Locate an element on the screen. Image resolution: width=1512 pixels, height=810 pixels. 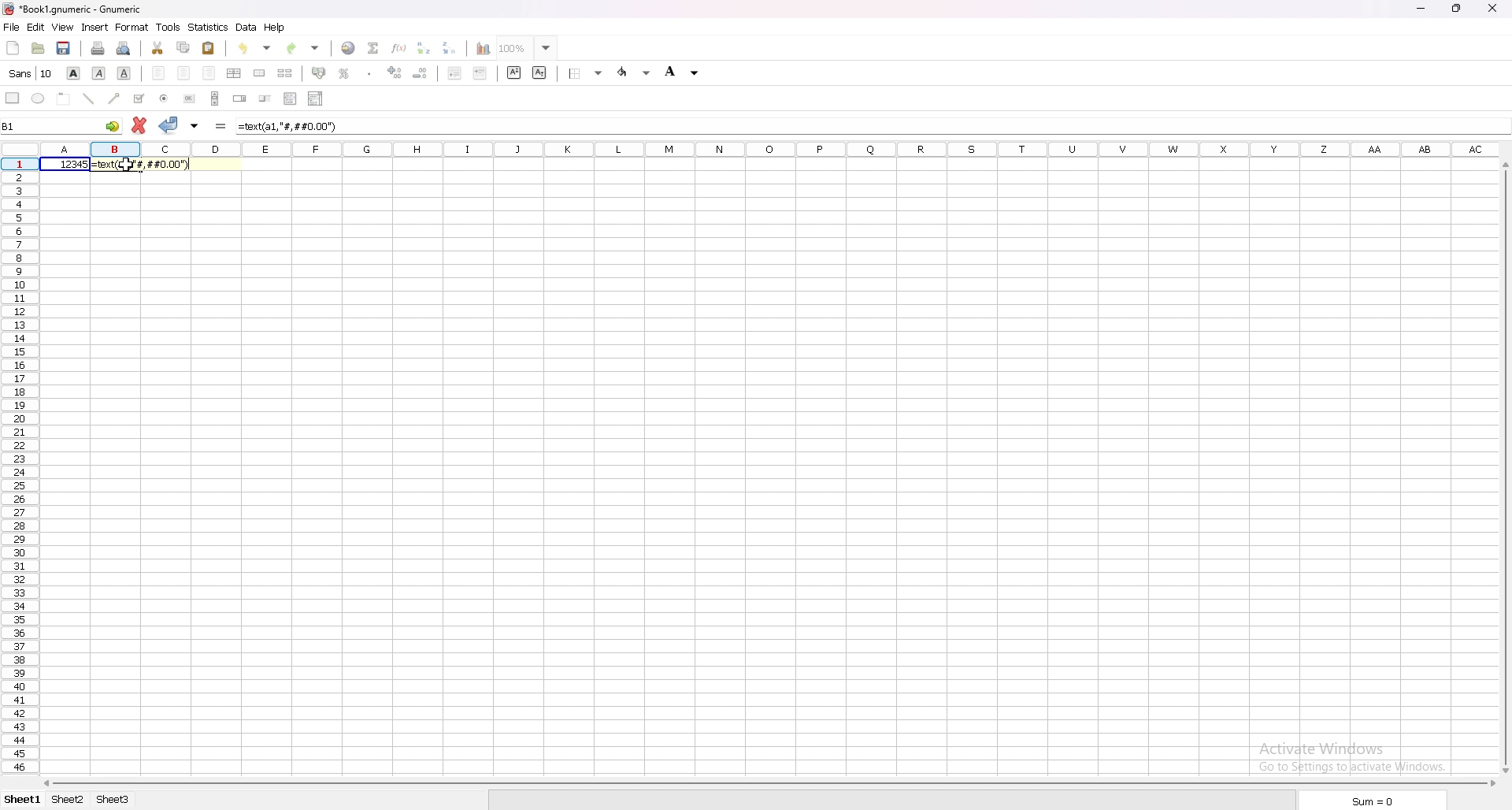
align left is located at coordinates (161, 72).